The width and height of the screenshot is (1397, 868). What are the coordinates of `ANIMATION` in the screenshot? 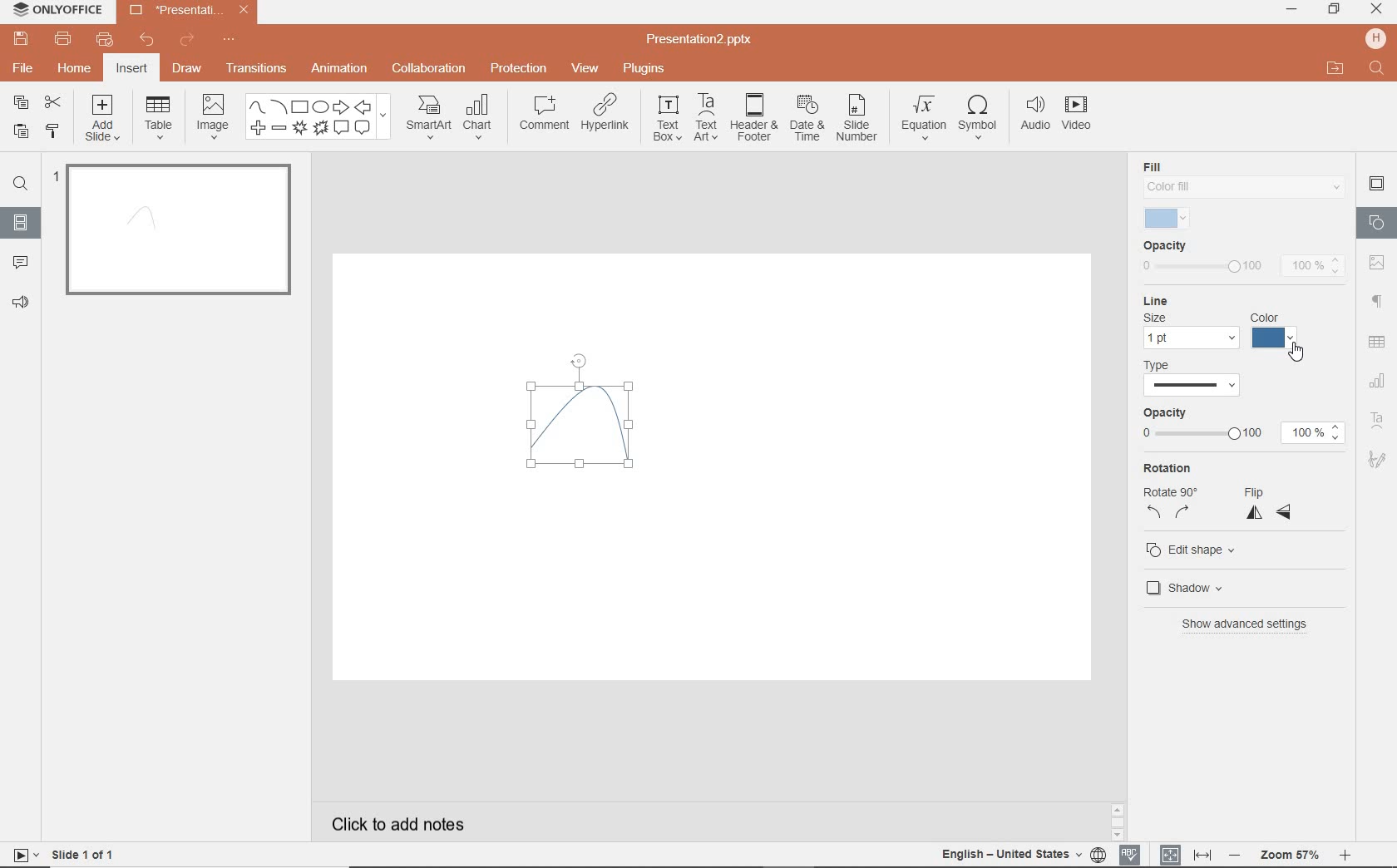 It's located at (343, 69).